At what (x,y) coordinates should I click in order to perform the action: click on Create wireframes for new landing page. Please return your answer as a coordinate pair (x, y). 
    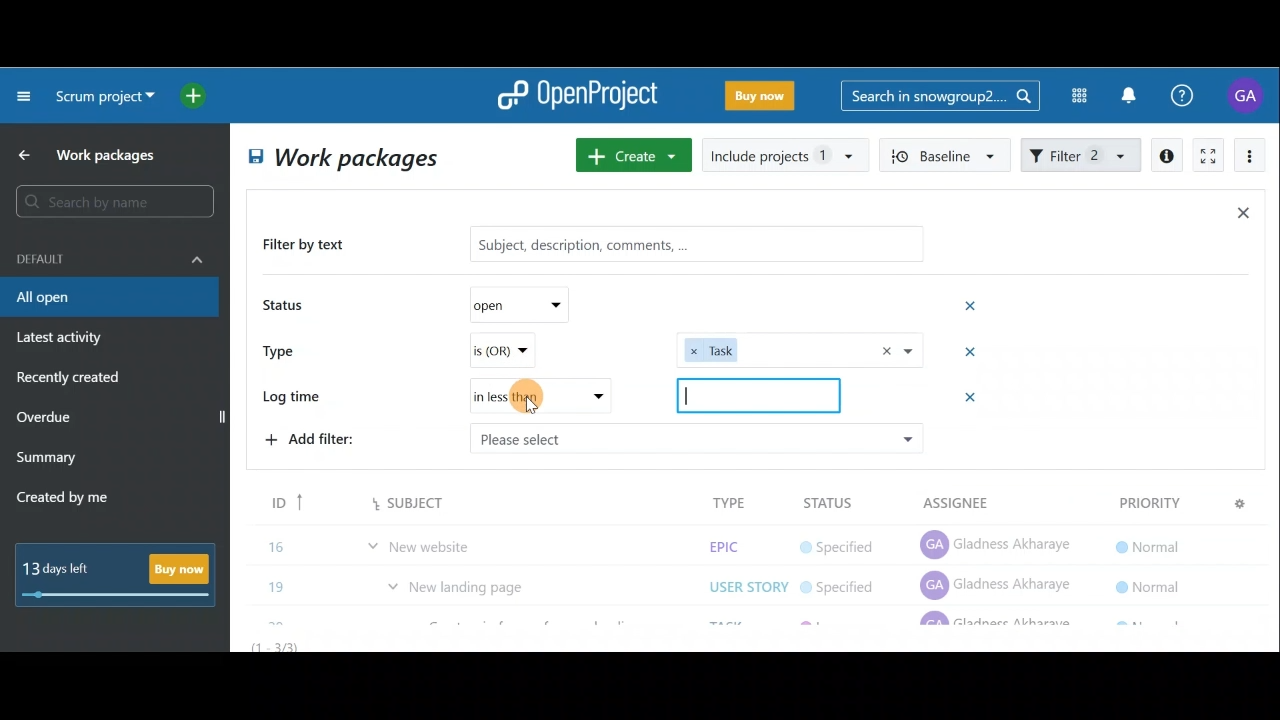
    Looking at the image, I should click on (534, 586).